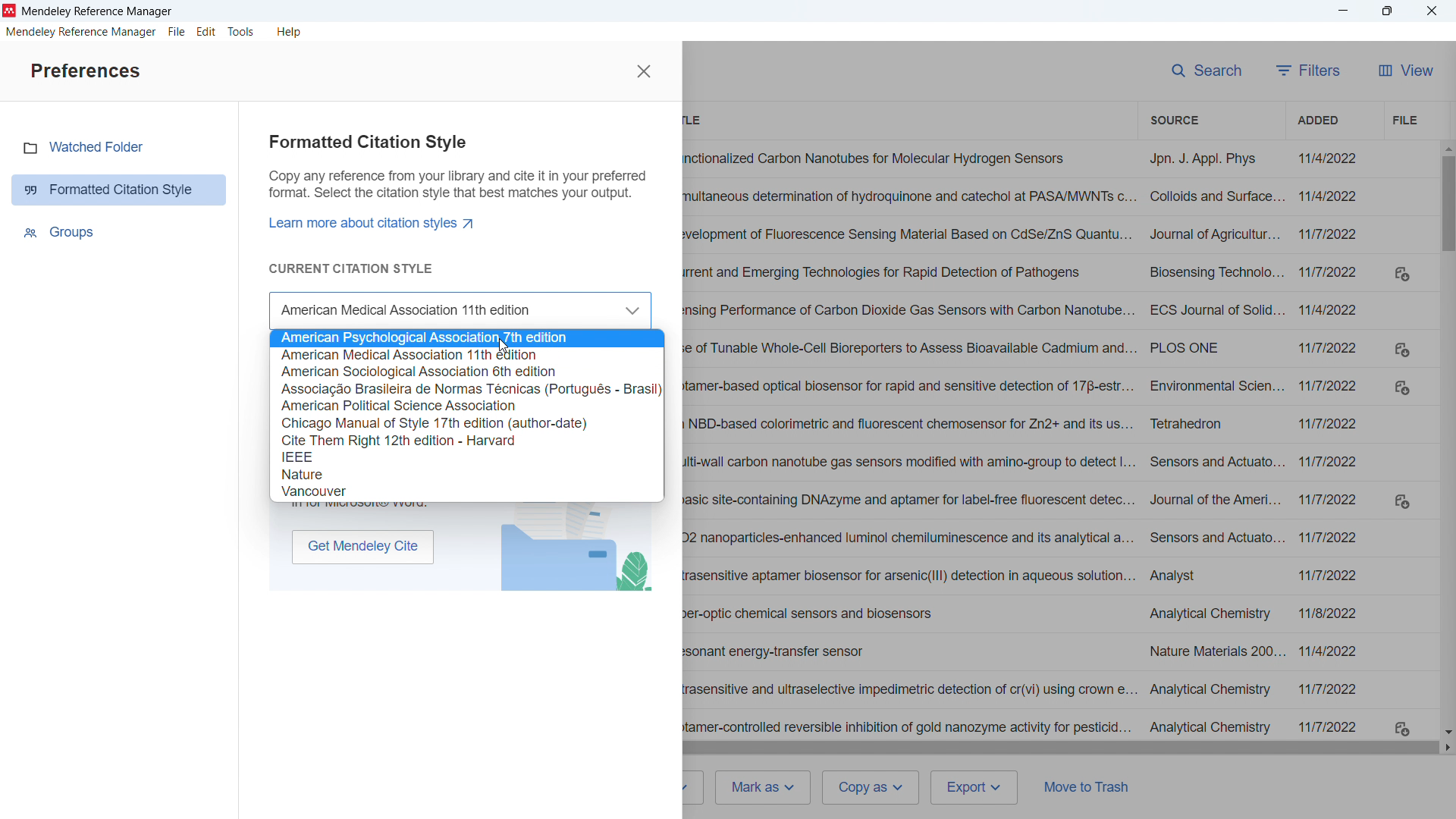 The height and width of the screenshot is (819, 1456). What do you see at coordinates (467, 355) in the screenshot?
I see `american Medical Association 11th edition` at bounding box center [467, 355].